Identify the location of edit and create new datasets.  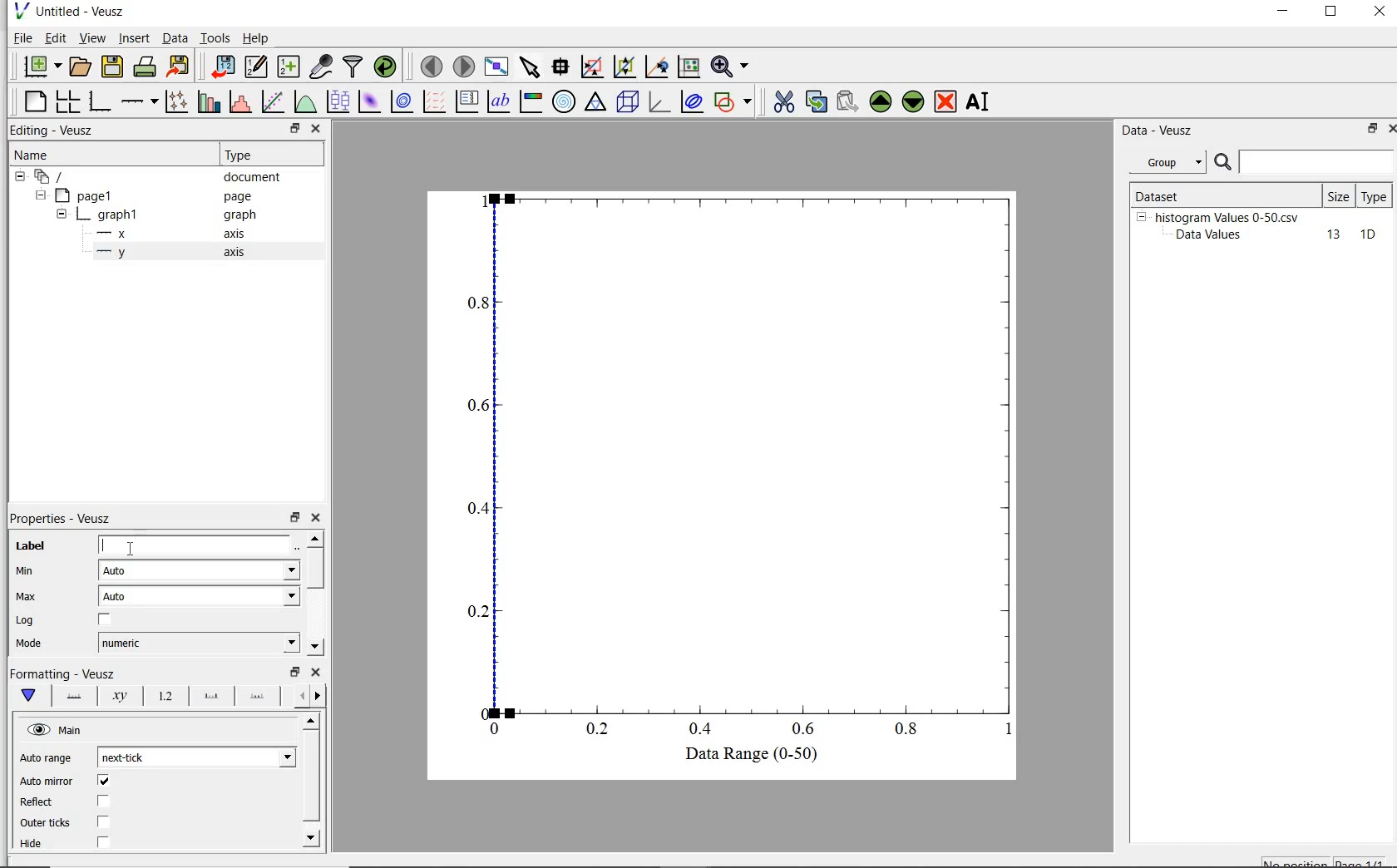
(256, 66).